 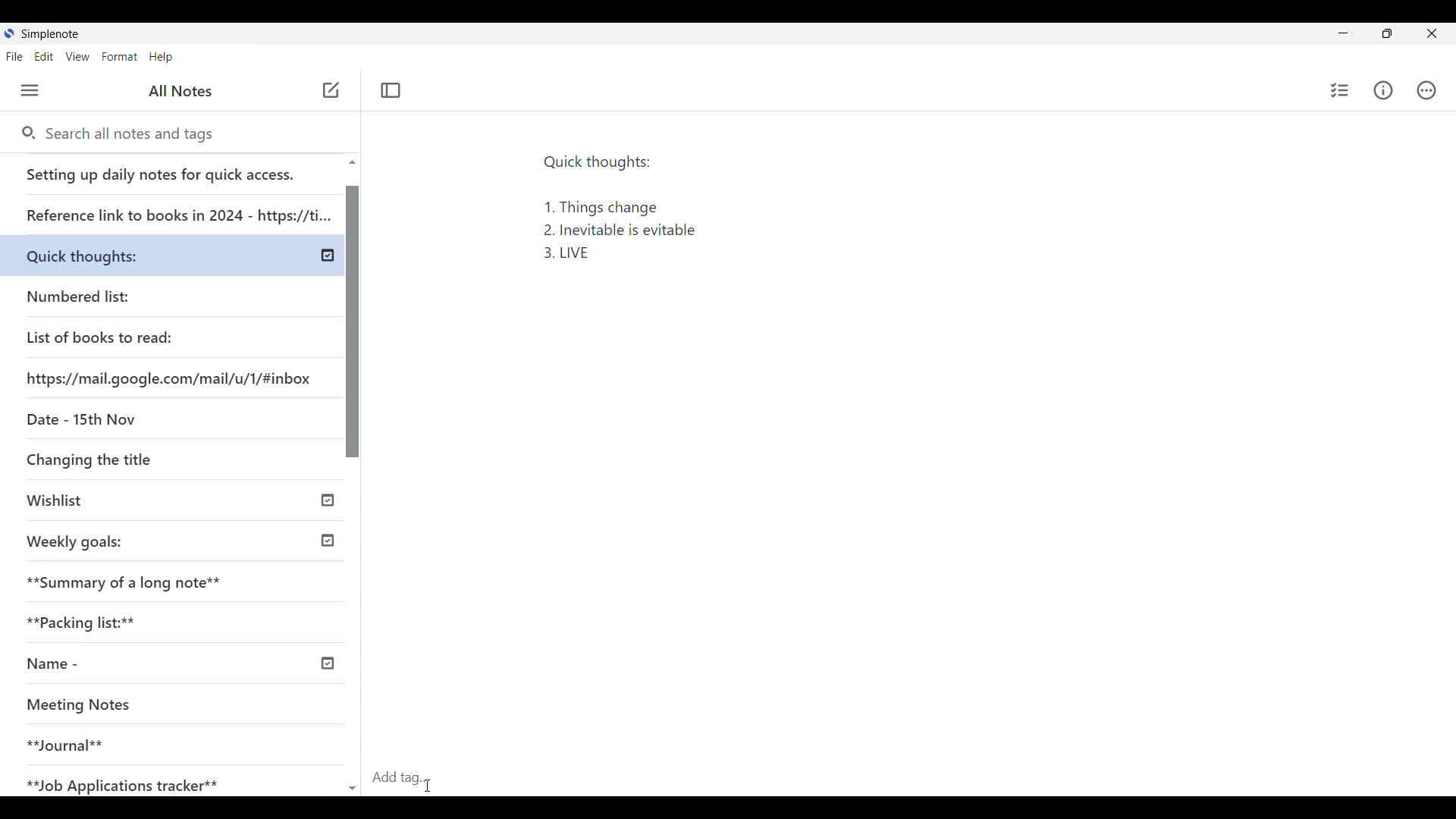 I want to click on Website, so click(x=171, y=377).